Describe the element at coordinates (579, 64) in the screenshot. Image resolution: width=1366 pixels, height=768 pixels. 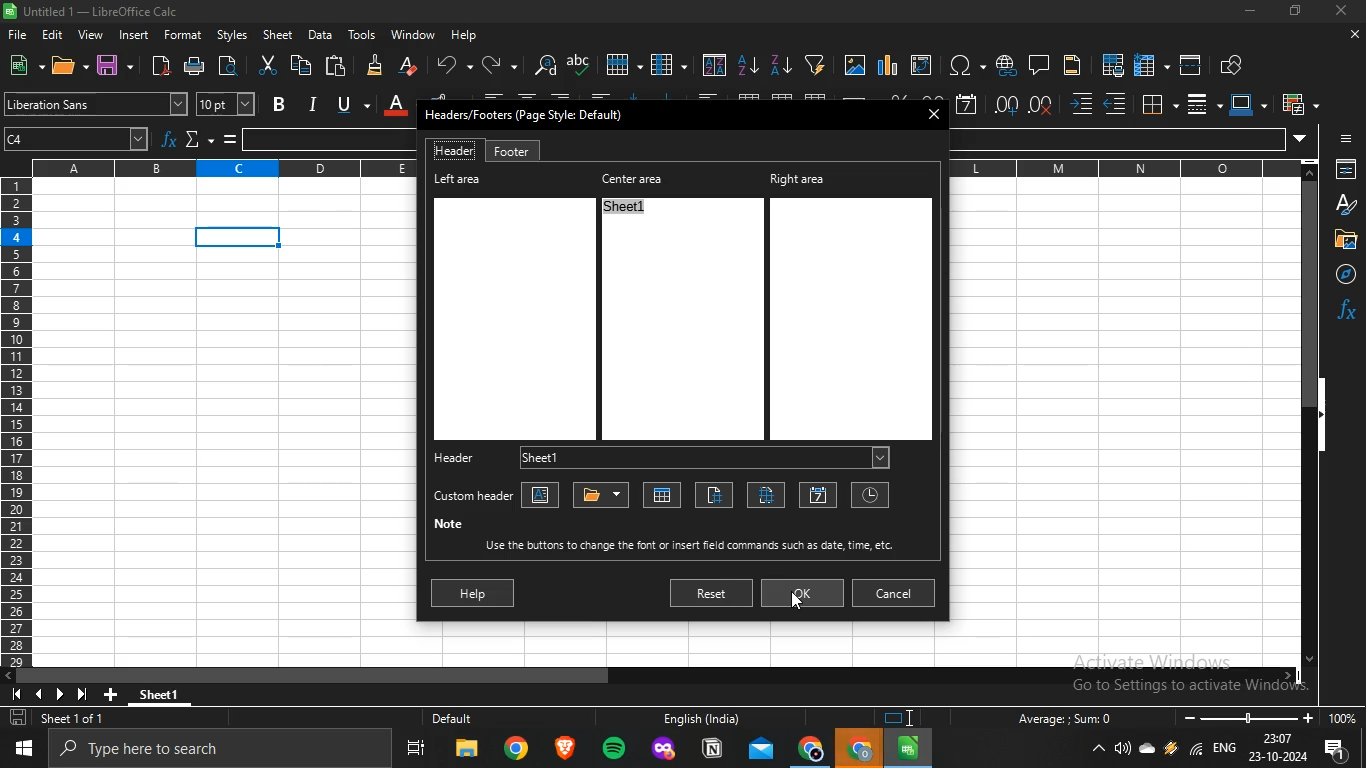
I see `spelling` at that location.